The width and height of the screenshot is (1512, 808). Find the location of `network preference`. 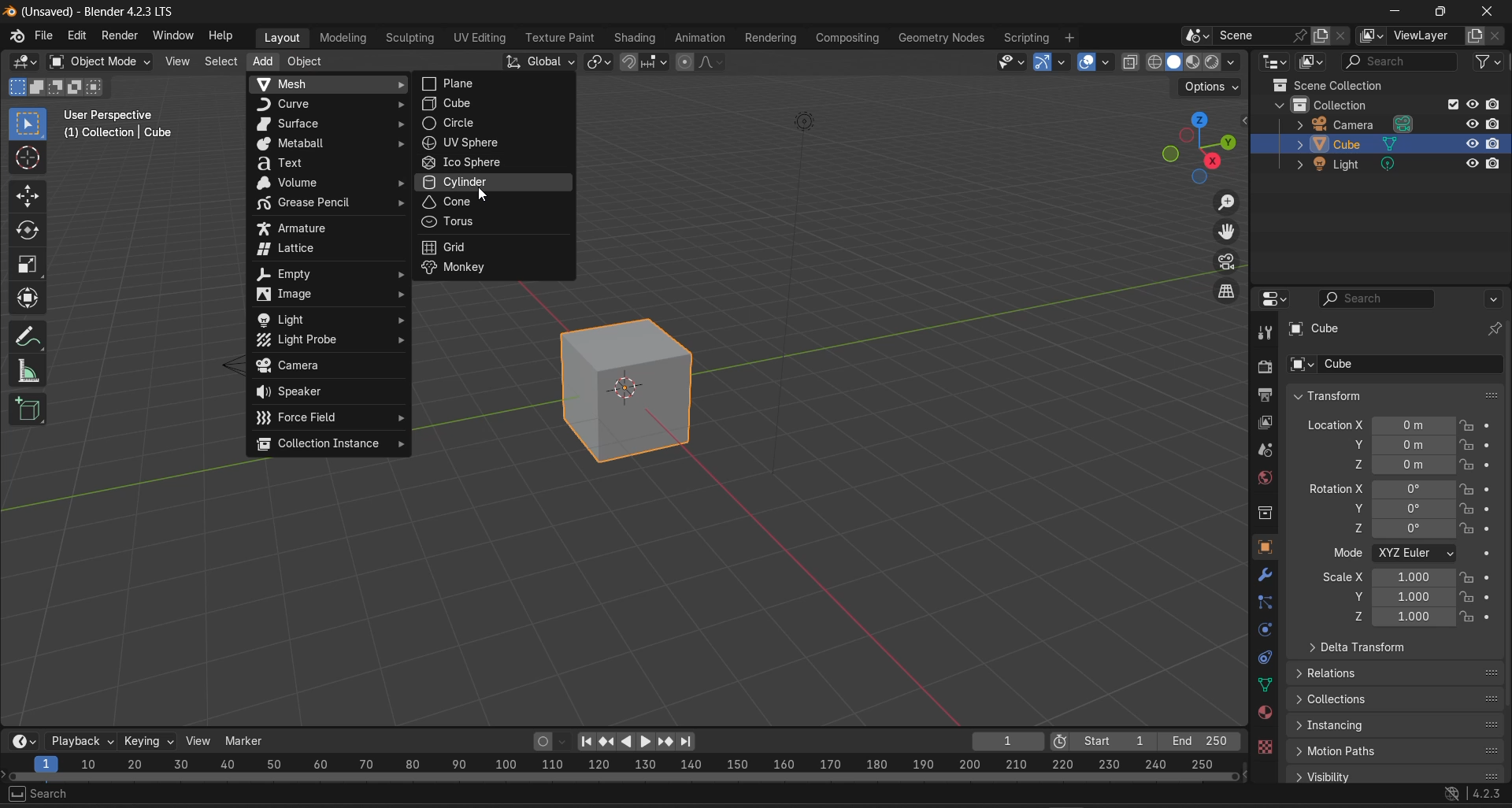

network preference is located at coordinates (1452, 794).